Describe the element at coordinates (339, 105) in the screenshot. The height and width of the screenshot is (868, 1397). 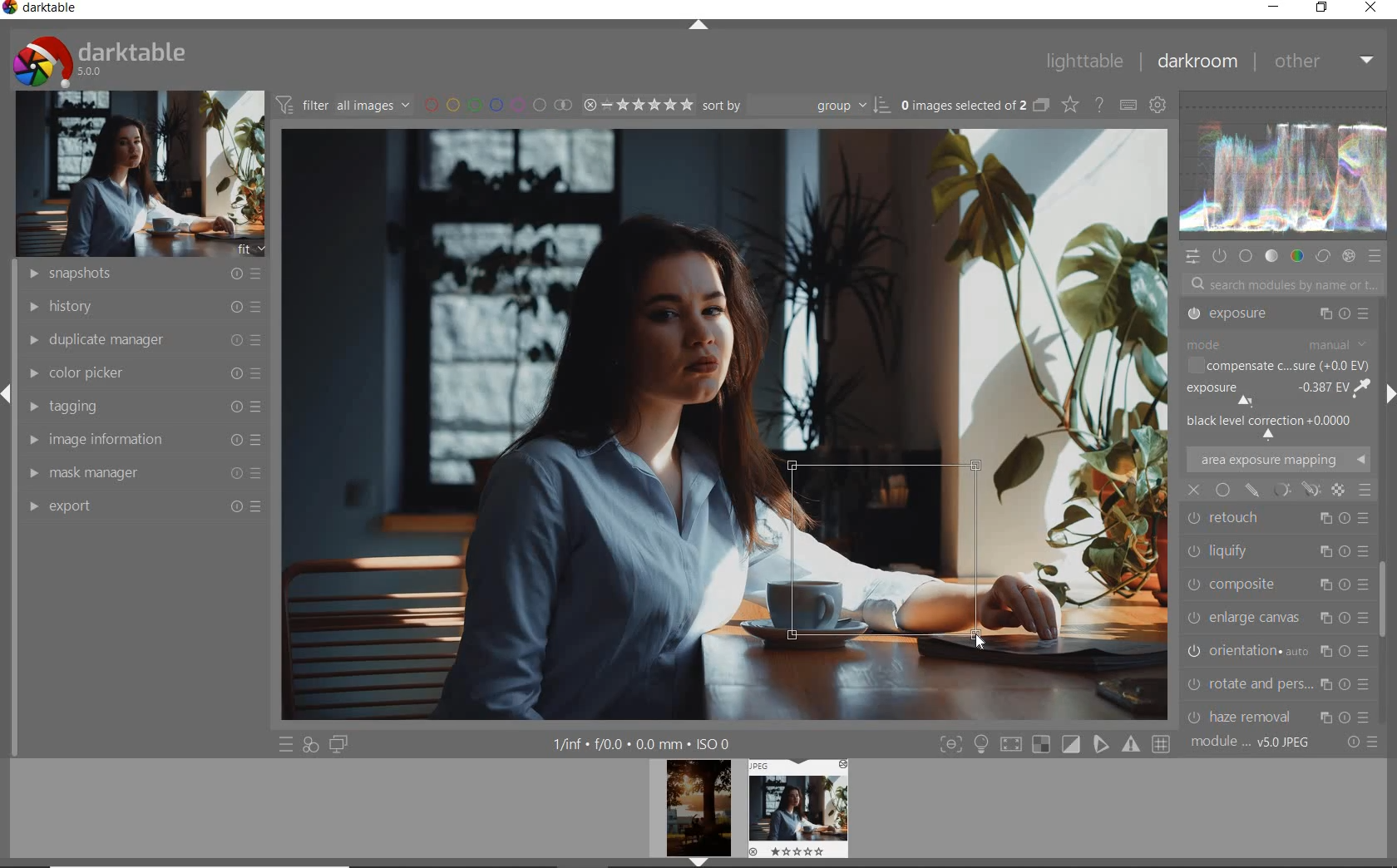
I see `FILTER IMAGE` at that location.